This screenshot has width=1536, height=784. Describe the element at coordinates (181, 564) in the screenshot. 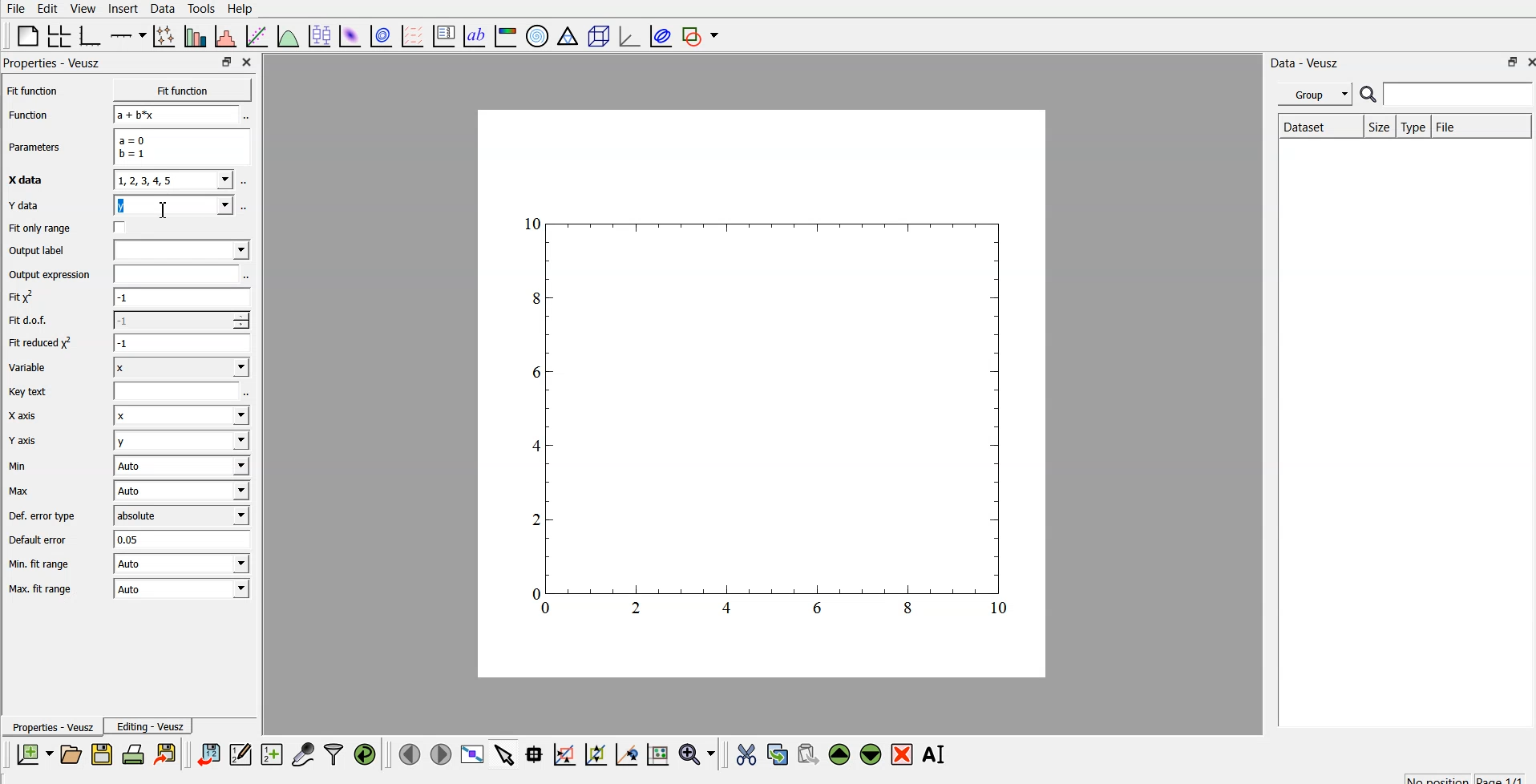

I see `| Auto` at that location.